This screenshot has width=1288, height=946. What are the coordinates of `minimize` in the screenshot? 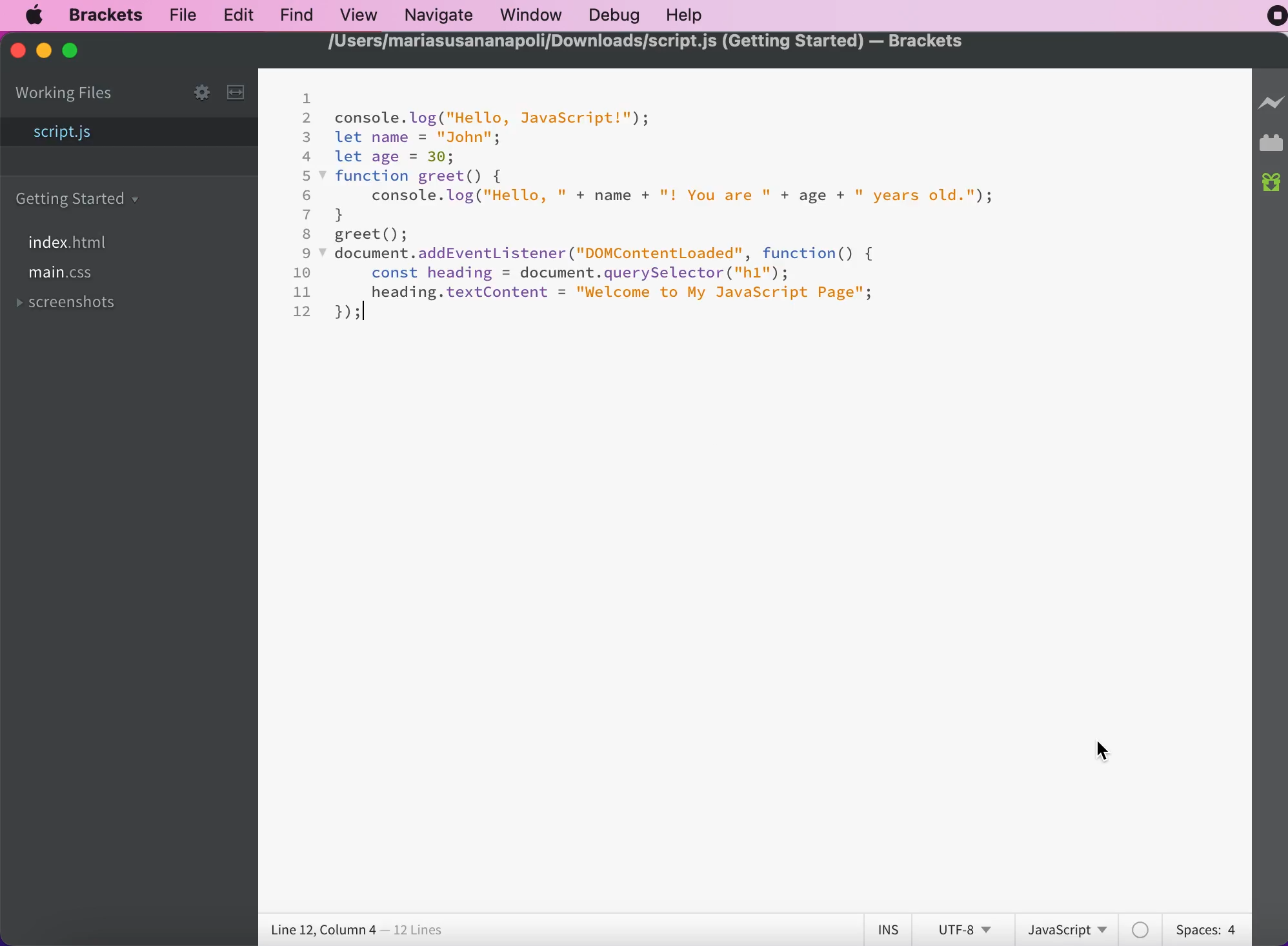 It's located at (43, 51).